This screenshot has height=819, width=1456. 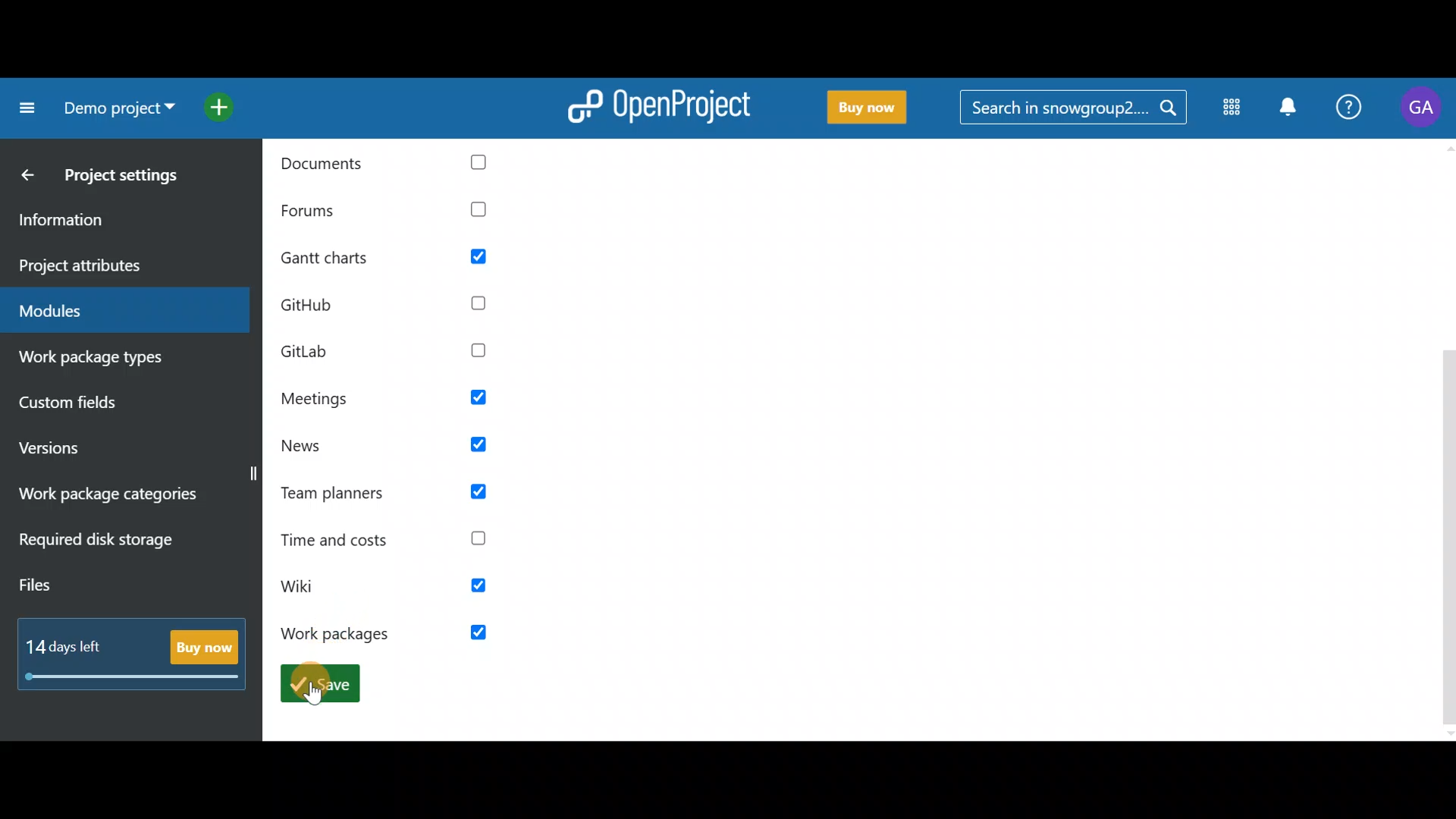 What do you see at coordinates (1291, 111) in the screenshot?
I see `Notification centre` at bounding box center [1291, 111].